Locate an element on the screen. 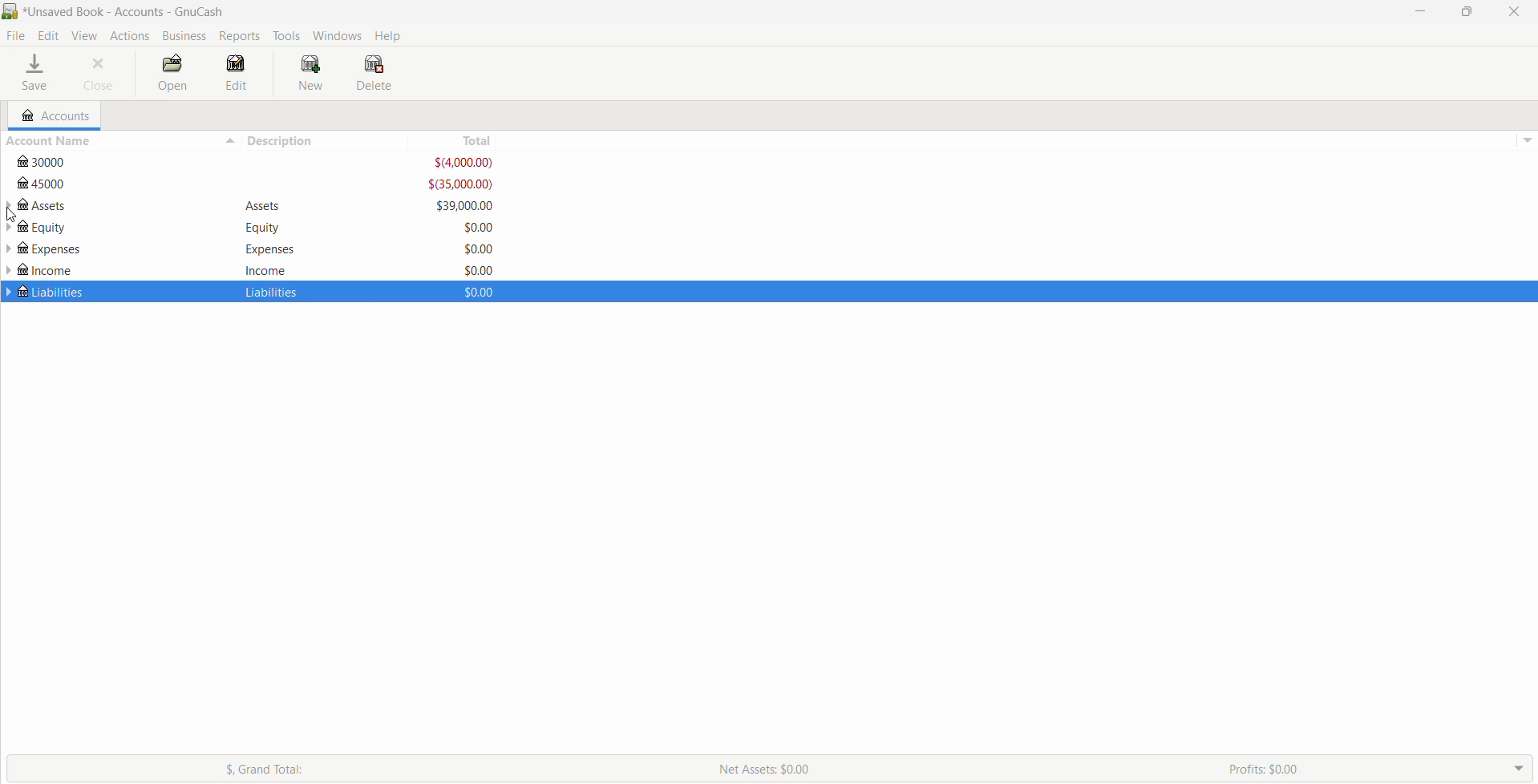 Image resolution: width=1538 pixels, height=784 pixels. File is located at coordinates (15, 36).